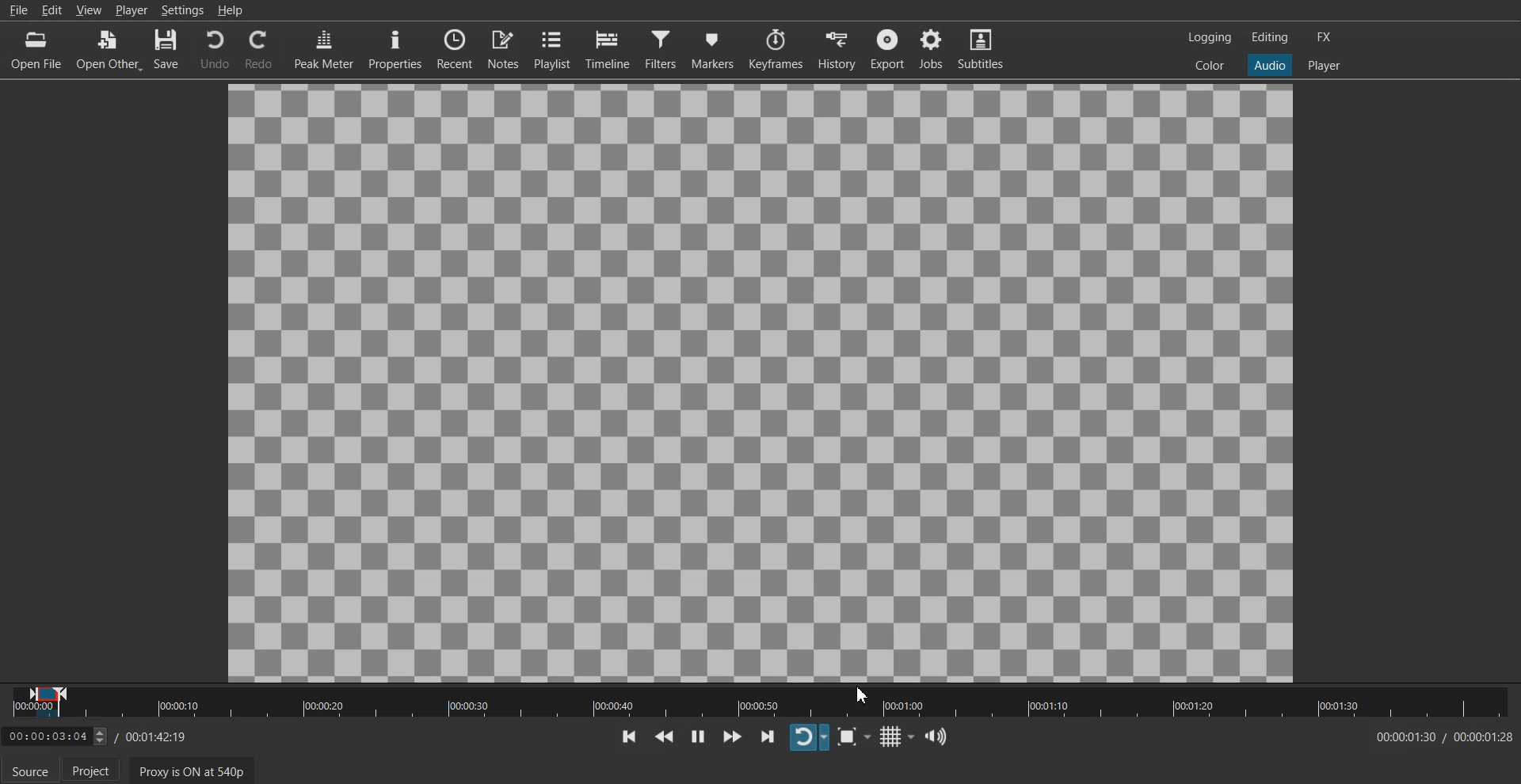 This screenshot has height=784, width=1521. I want to click on Properties, so click(394, 48).